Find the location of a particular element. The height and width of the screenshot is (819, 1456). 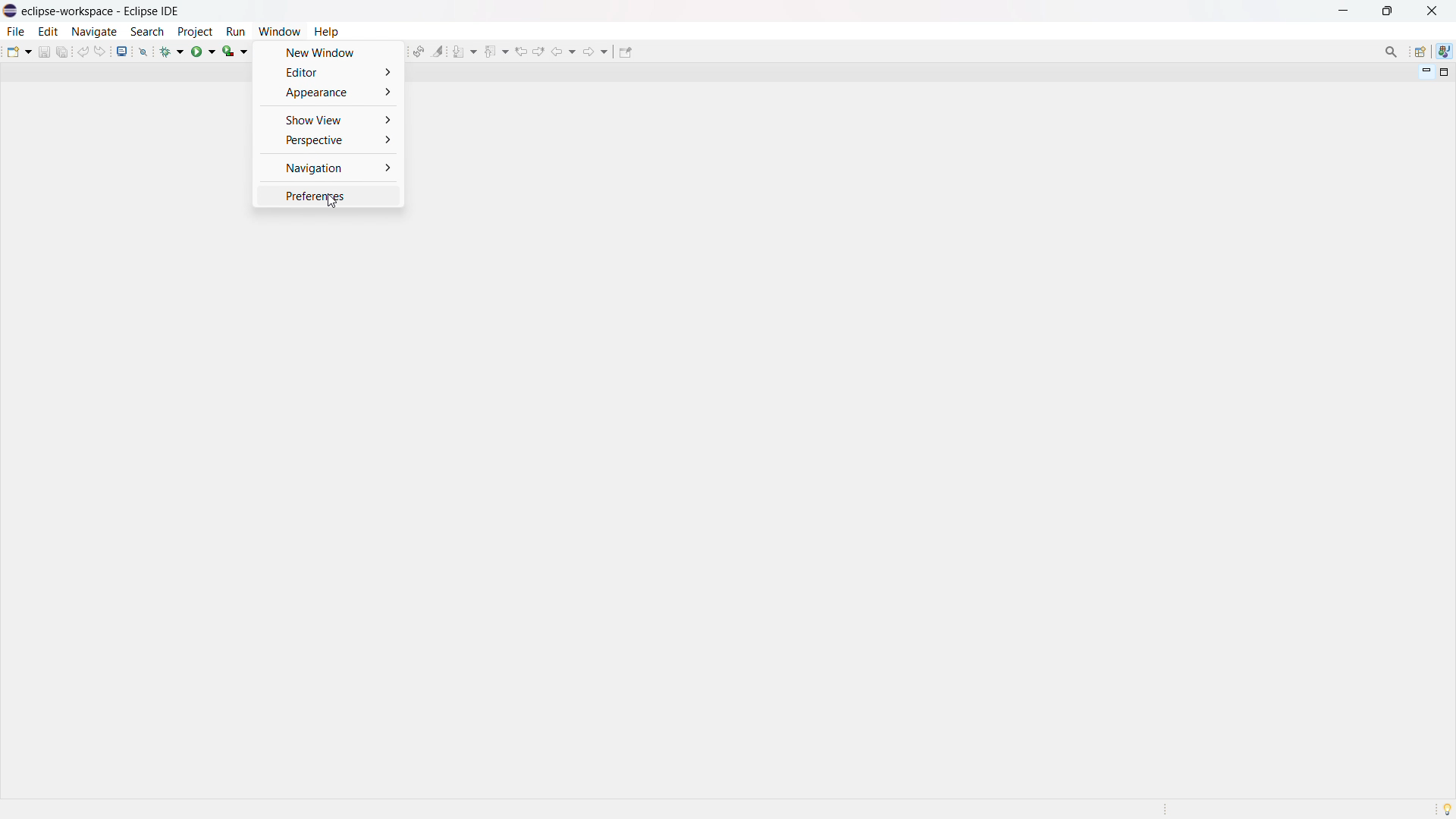

navigation is located at coordinates (328, 168).